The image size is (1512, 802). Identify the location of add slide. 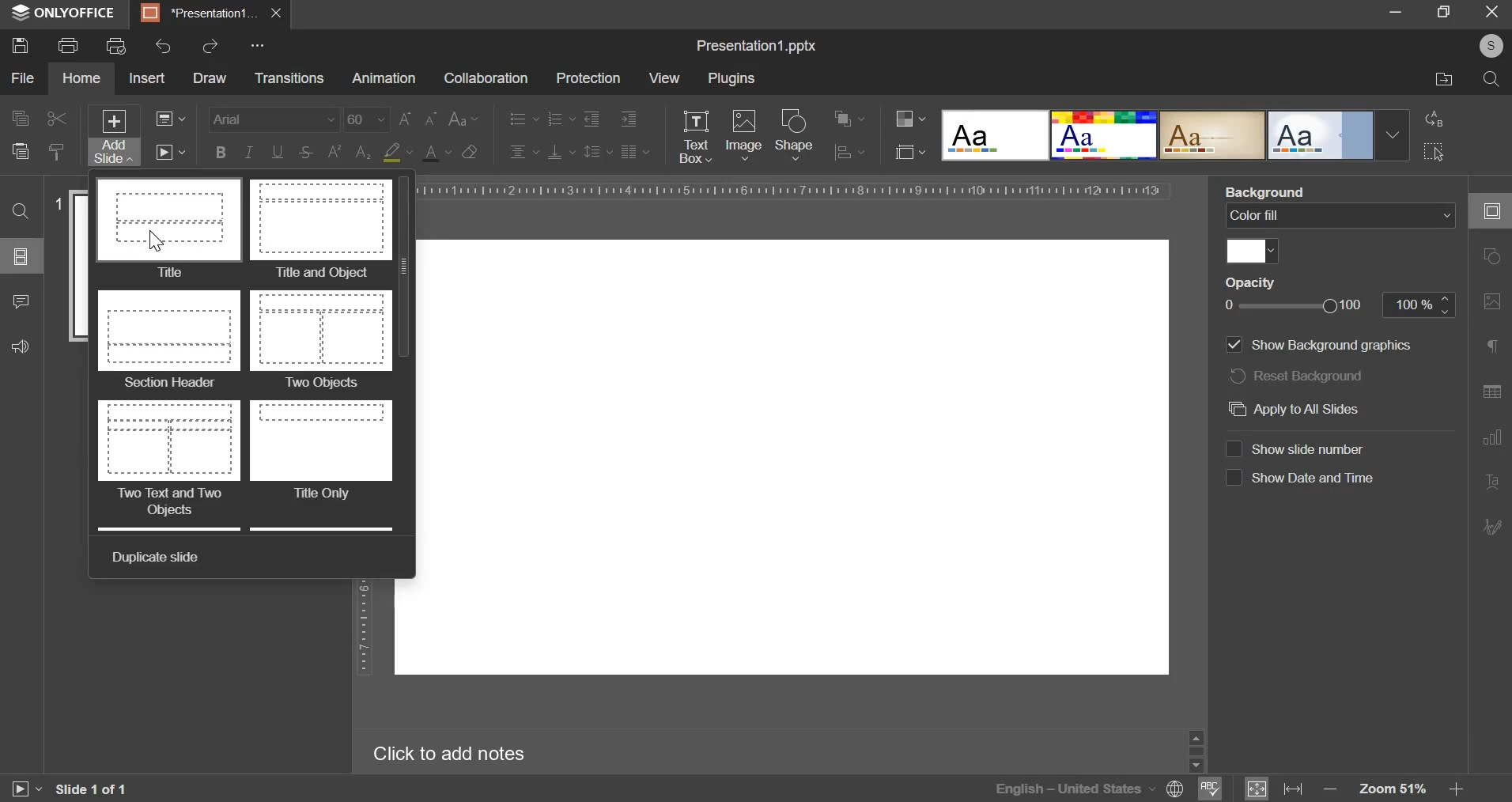
(115, 137).